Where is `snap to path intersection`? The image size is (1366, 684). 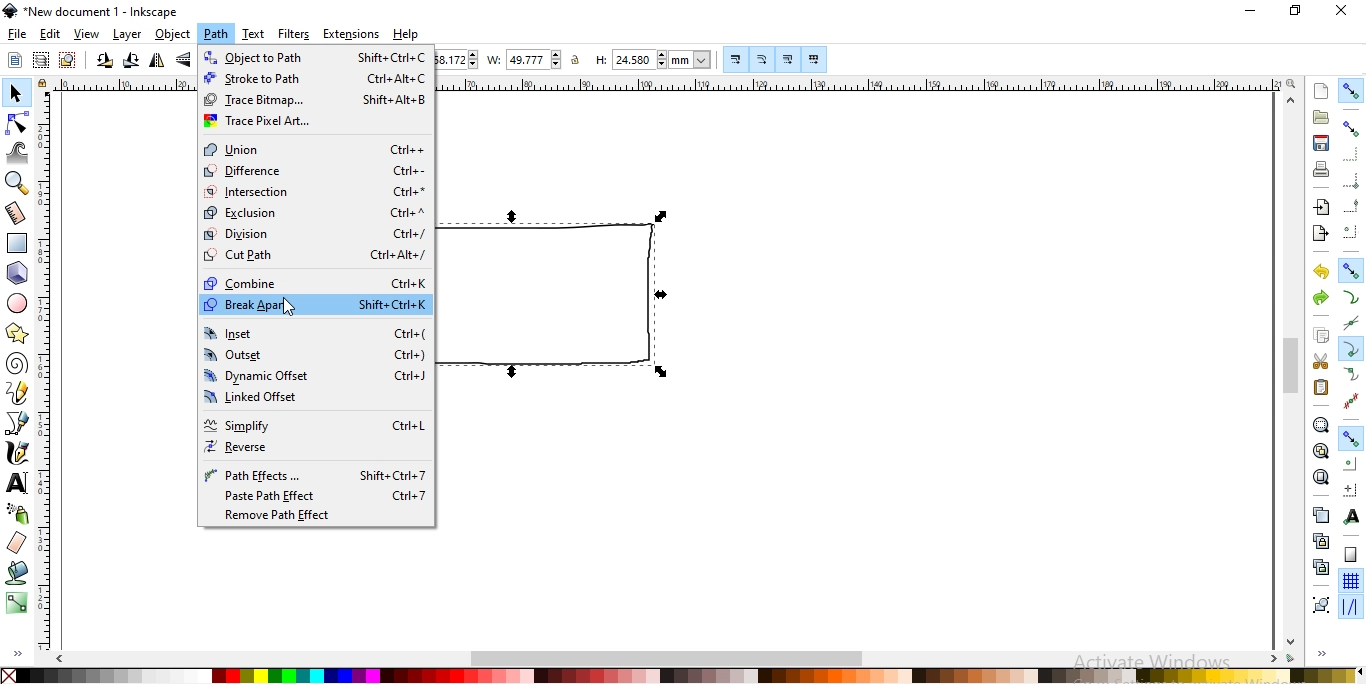
snap to path intersection is located at coordinates (1350, 326).